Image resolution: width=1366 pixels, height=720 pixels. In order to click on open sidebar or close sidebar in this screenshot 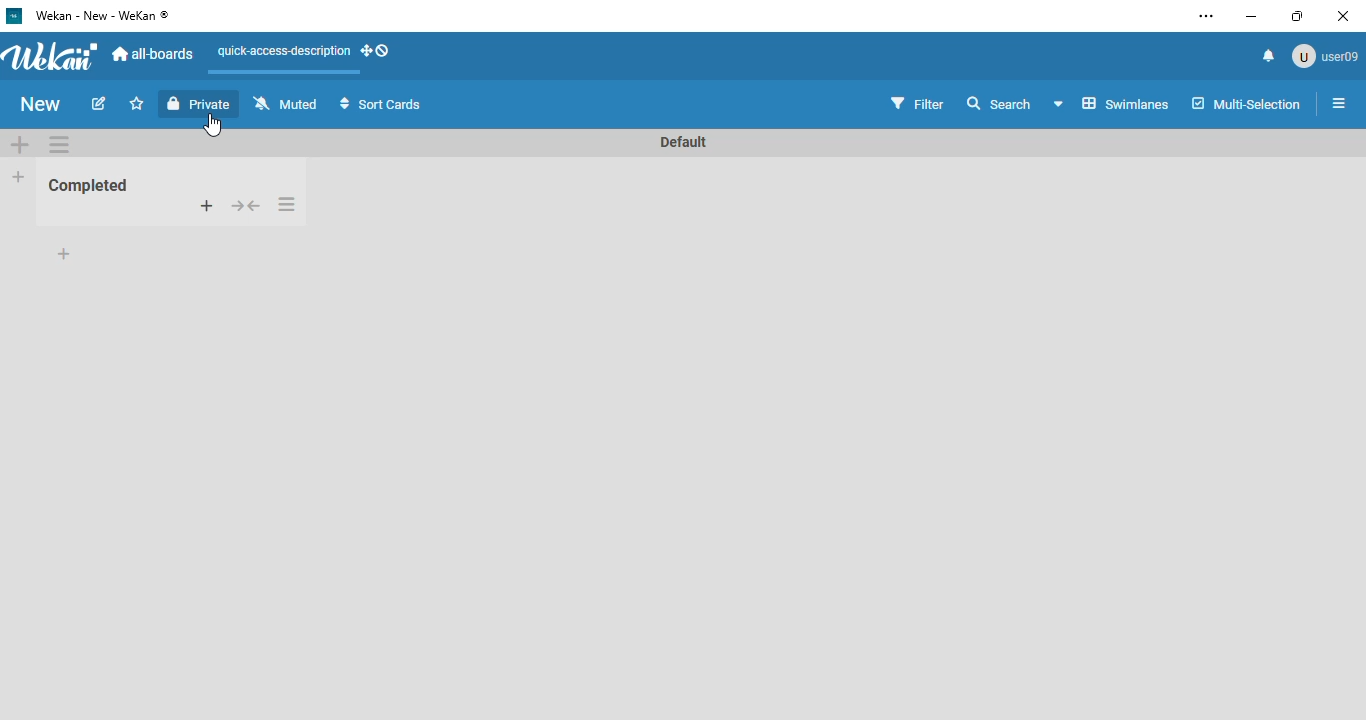, I will do `click(1339, 102)`.